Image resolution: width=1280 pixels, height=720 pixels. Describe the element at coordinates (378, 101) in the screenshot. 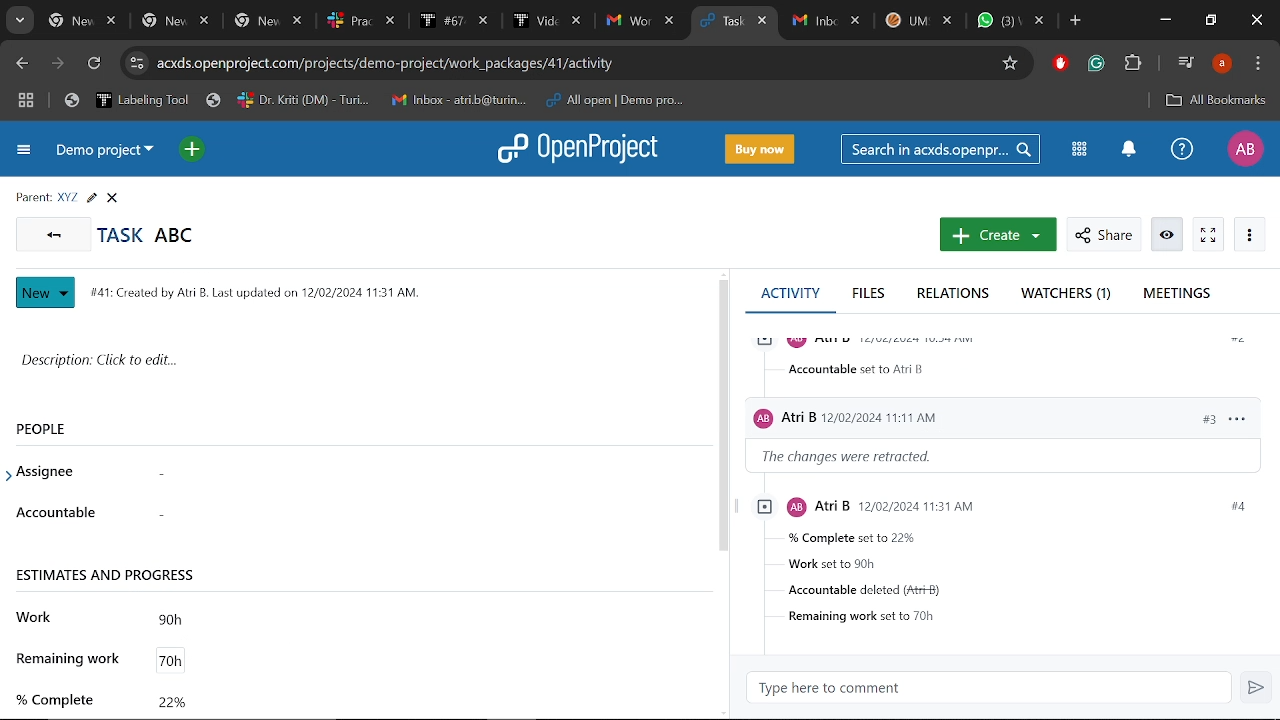

I see `Bookmarked tabs` at that location.